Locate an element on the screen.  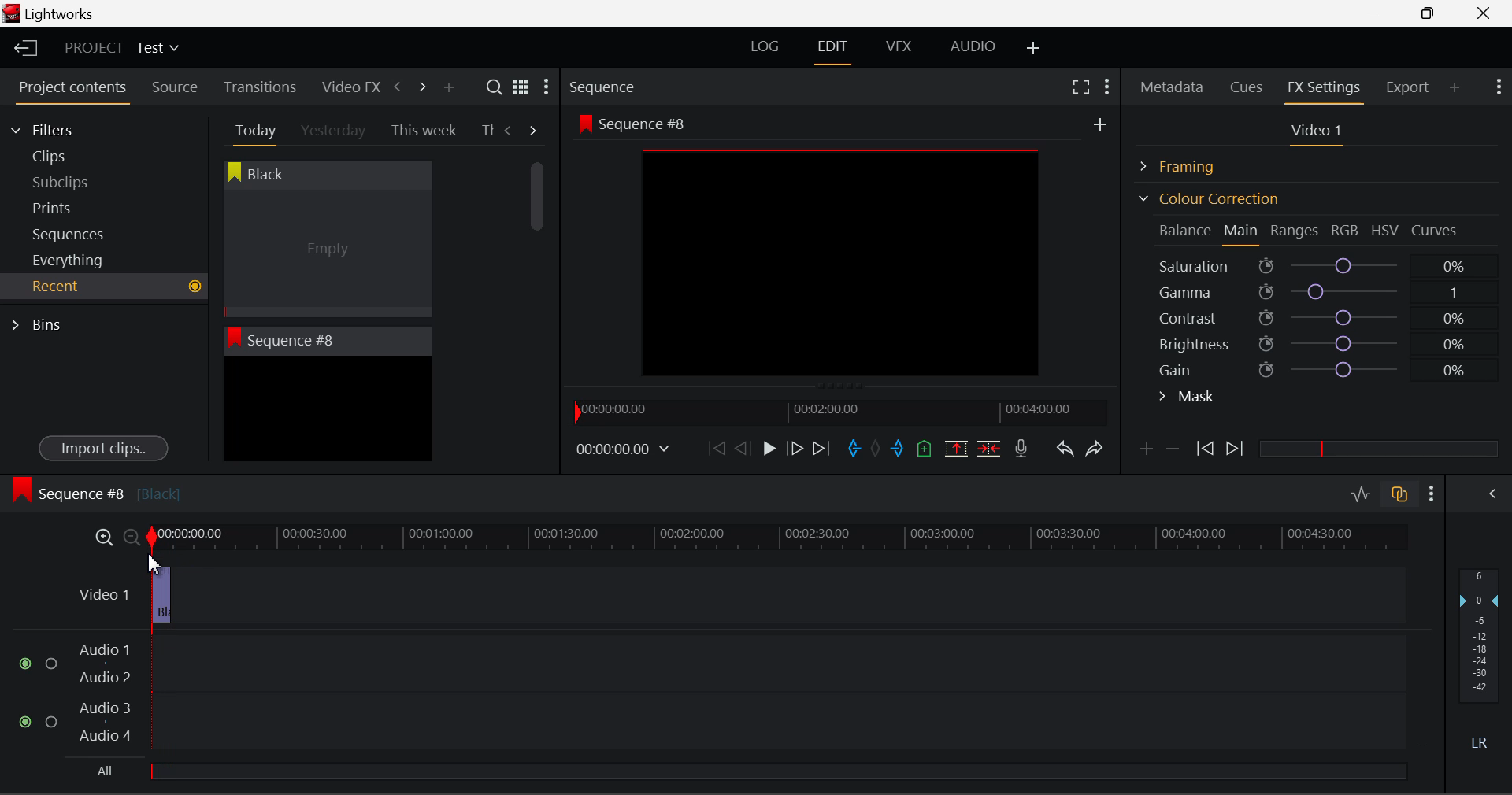
Framing Section is located at coordinates (1190, 164).